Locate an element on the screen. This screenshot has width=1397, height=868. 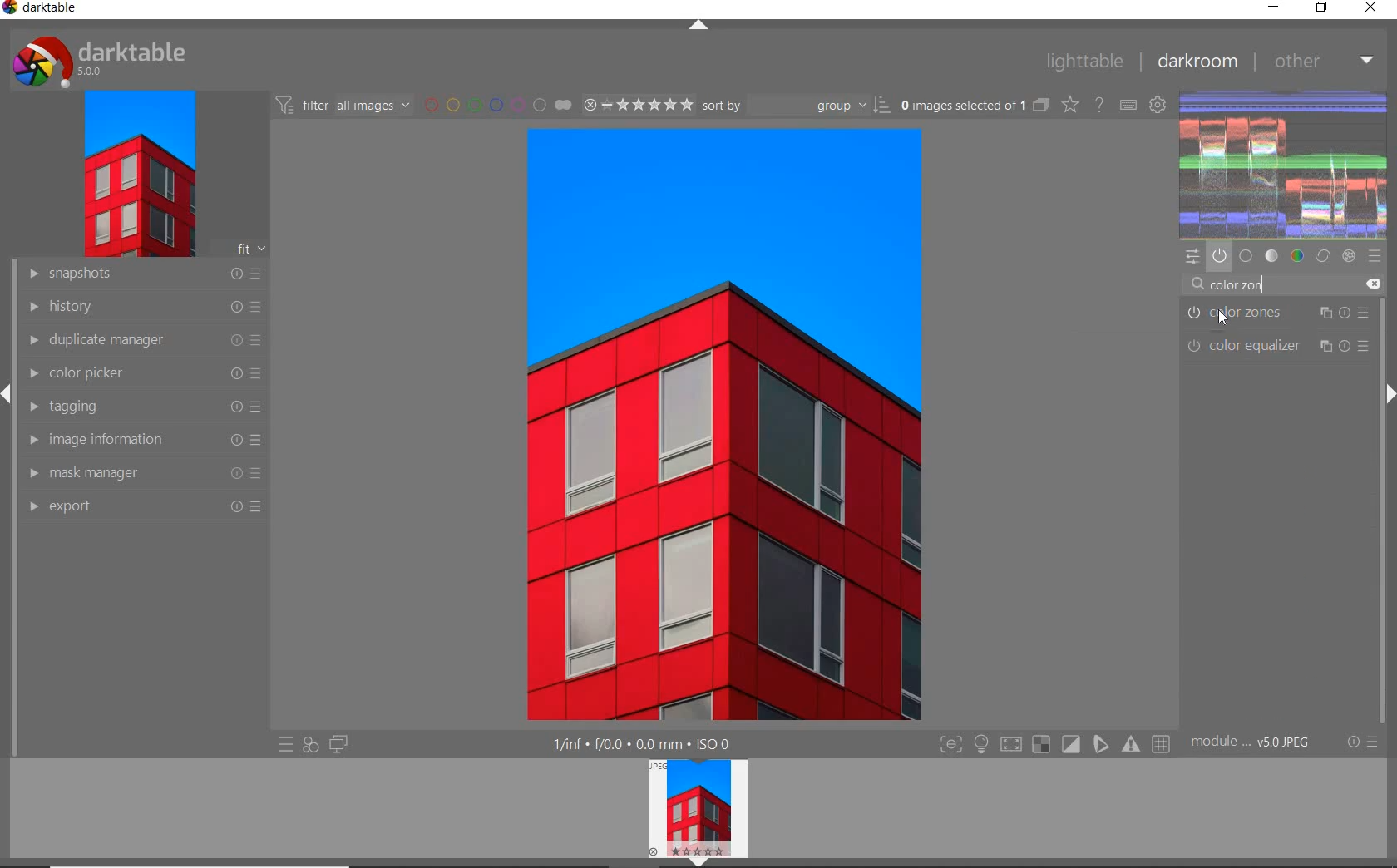
effect is located at coordinates (1350, 256).